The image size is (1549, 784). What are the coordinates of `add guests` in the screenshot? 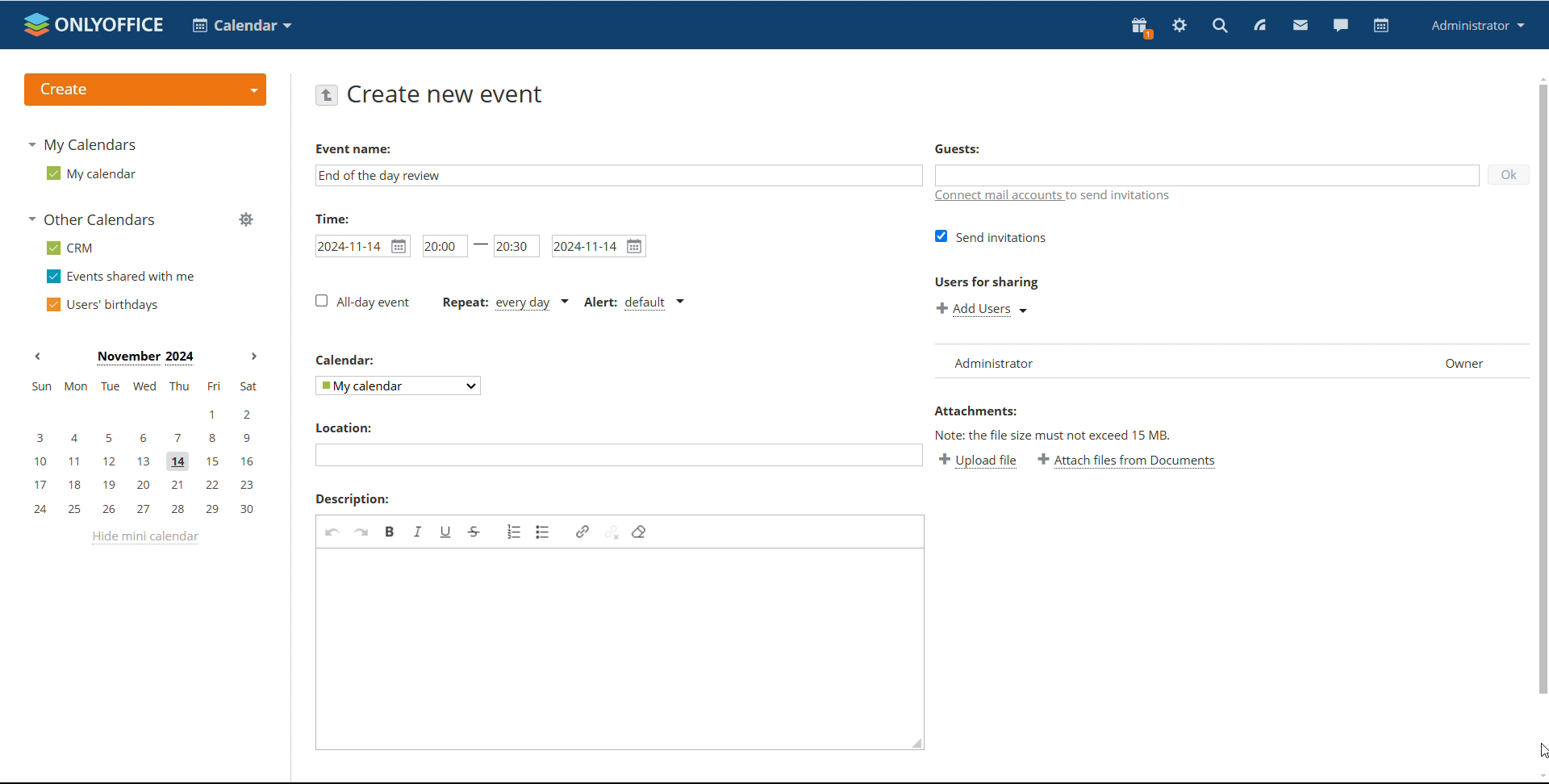 It's located at (1205, 174).